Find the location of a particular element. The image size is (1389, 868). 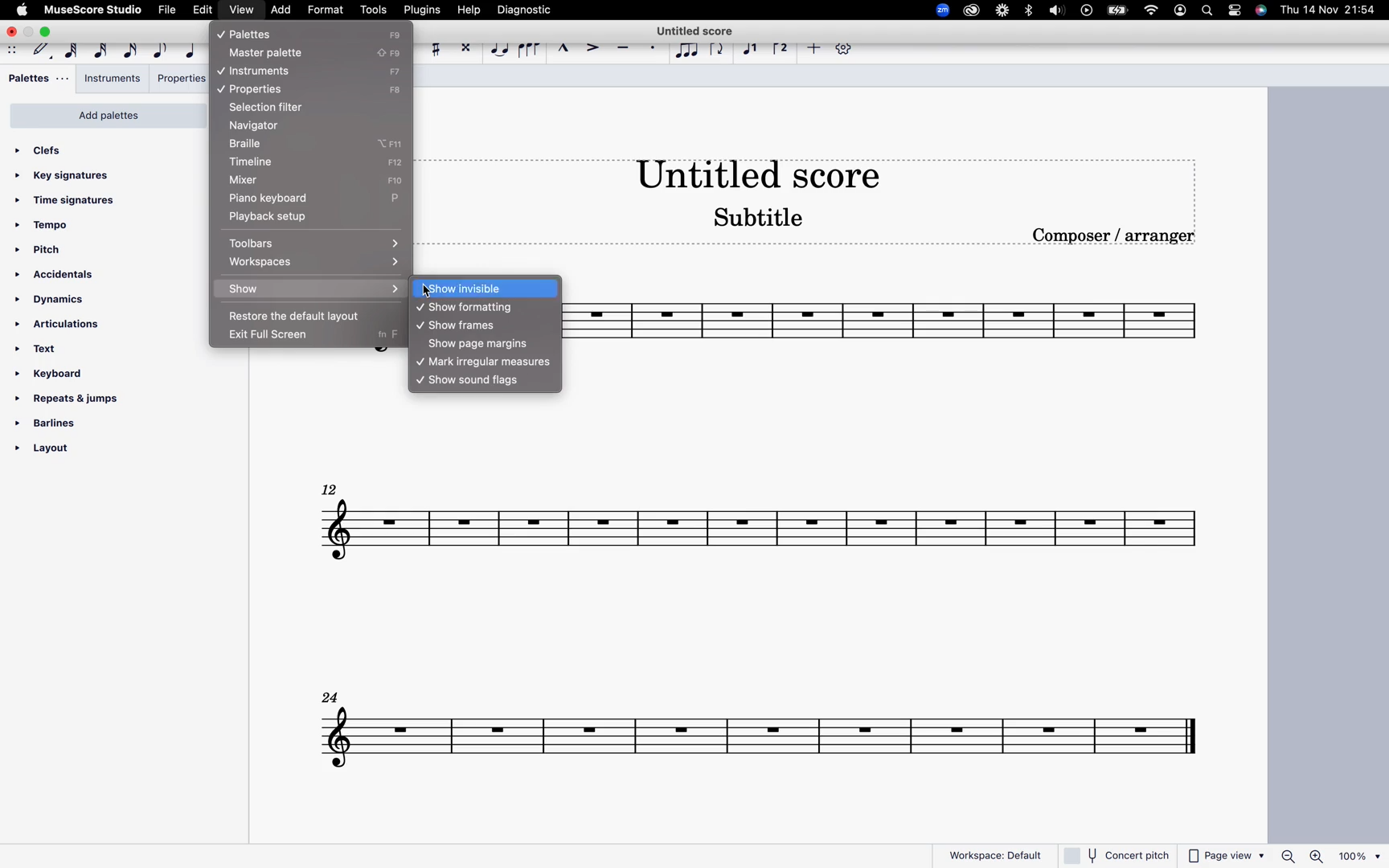

mixer is located at coordinates (301, 181).